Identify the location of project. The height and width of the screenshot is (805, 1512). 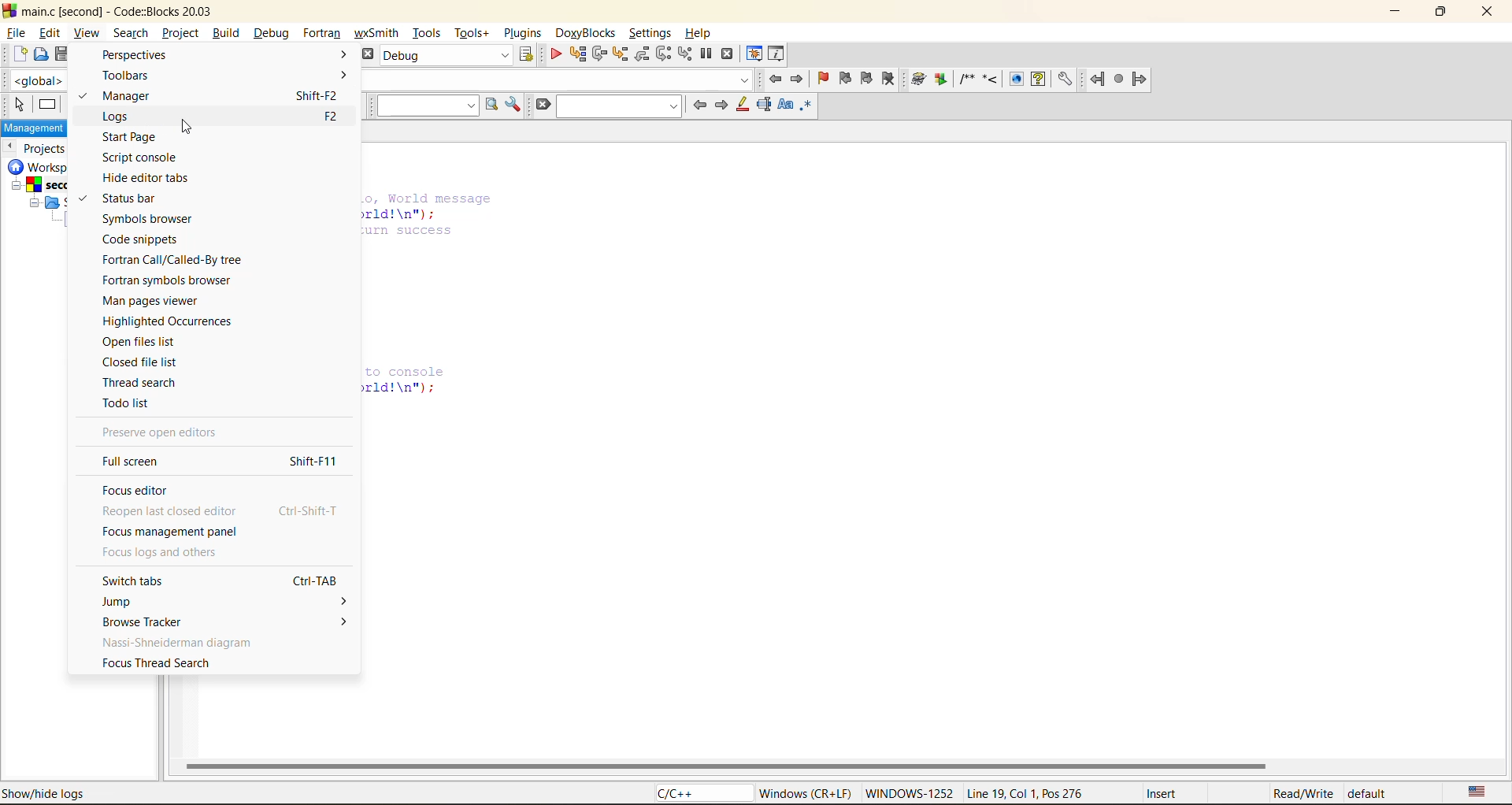
(179, 34).